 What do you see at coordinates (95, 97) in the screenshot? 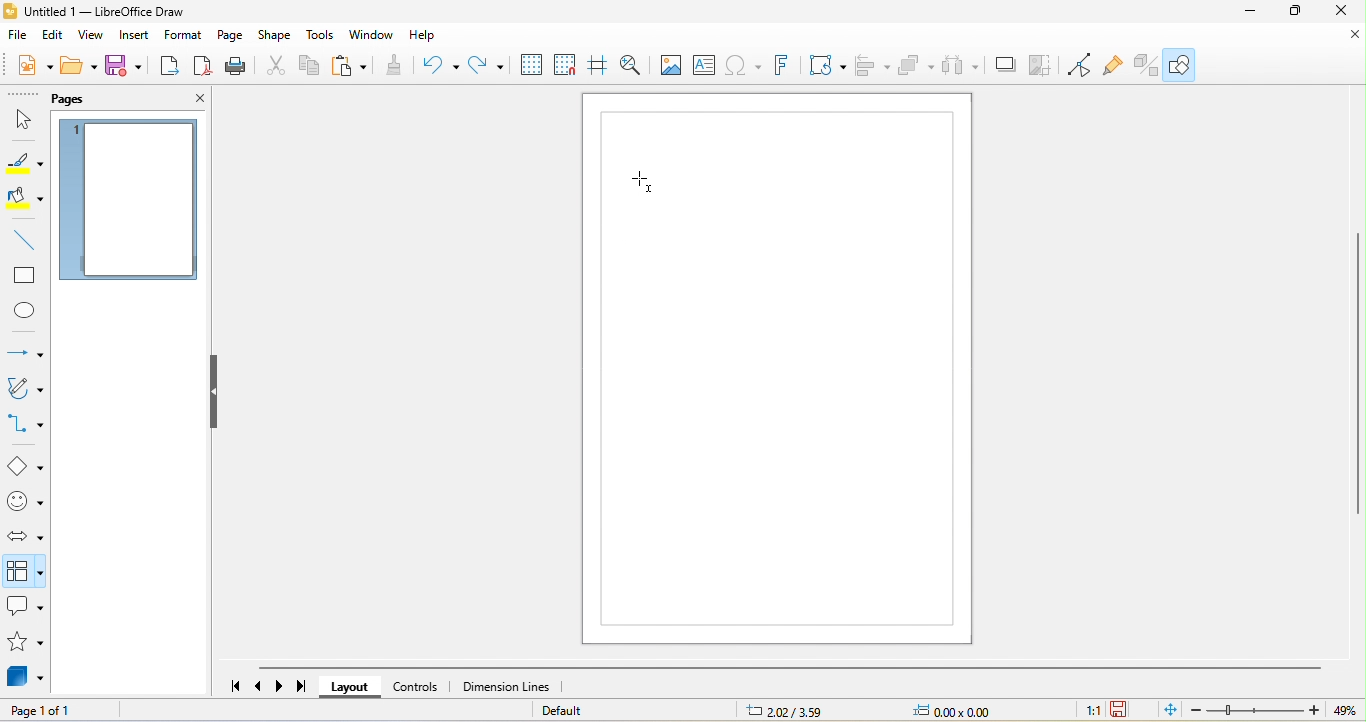
I see `pages` at bounding box center [95, 97].